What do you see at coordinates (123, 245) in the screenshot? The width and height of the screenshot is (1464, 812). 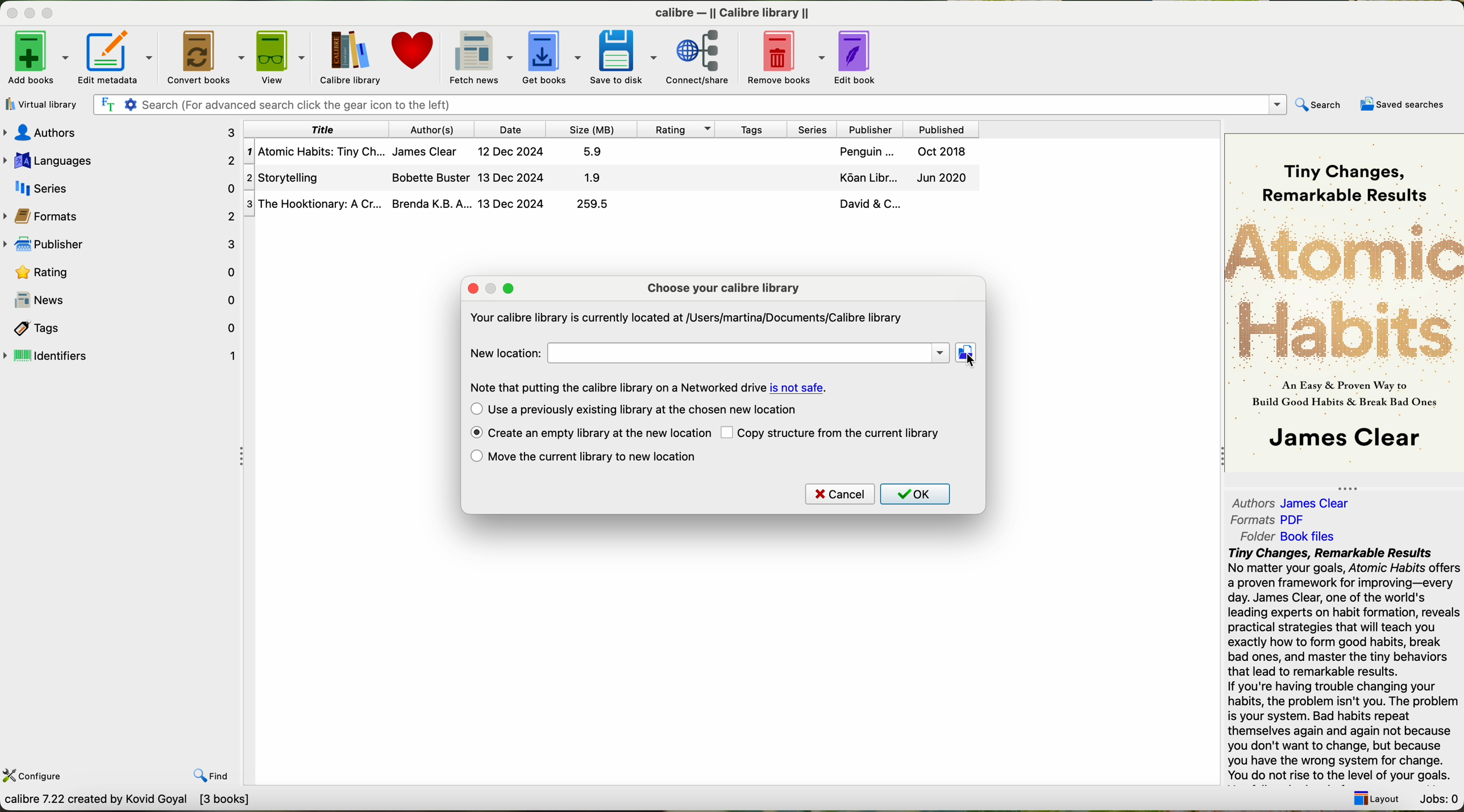 I see `publisher` at bounding box center [123, 245].